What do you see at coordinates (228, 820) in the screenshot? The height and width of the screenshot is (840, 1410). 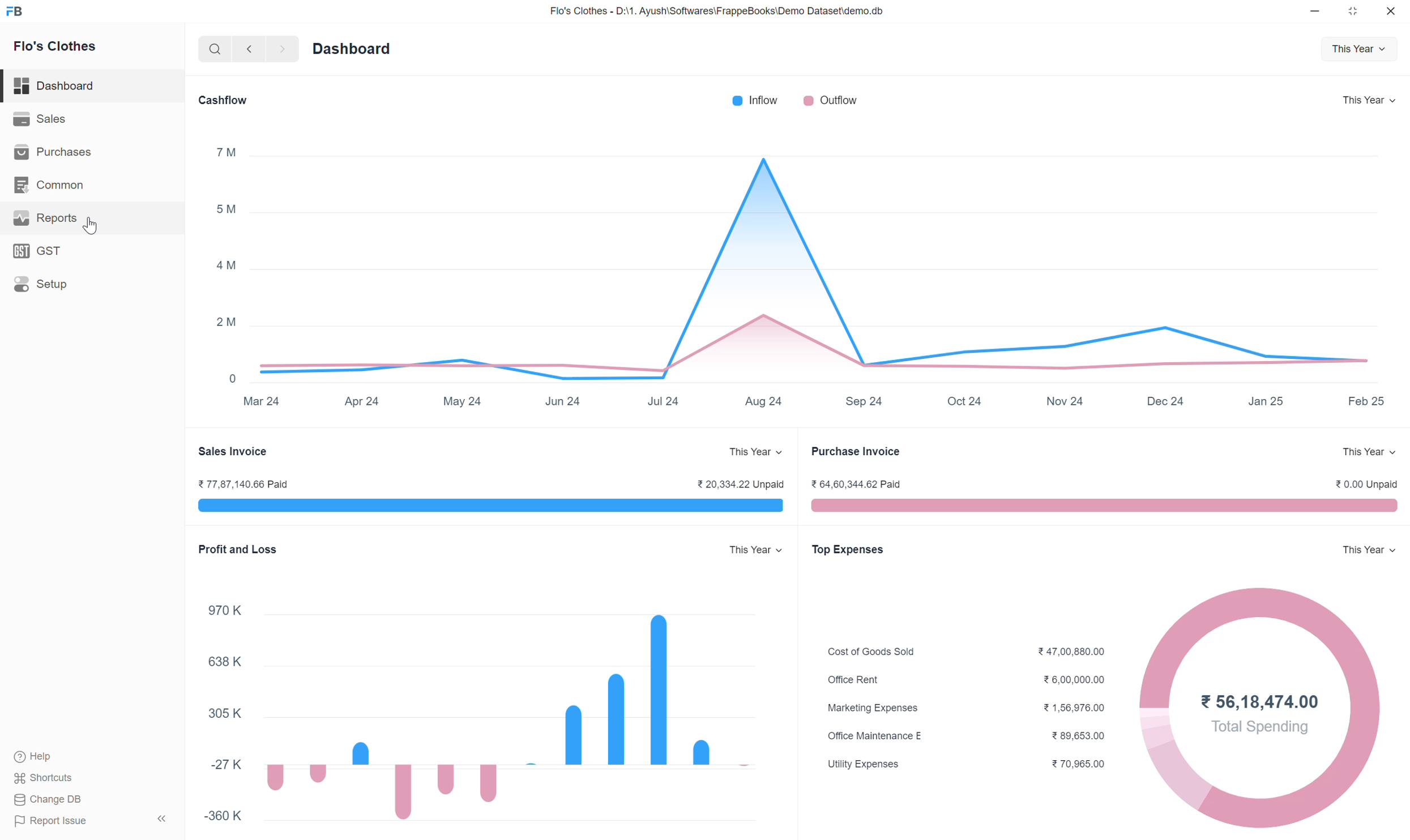 I see `-360 K` at bounding box center [228, 820].